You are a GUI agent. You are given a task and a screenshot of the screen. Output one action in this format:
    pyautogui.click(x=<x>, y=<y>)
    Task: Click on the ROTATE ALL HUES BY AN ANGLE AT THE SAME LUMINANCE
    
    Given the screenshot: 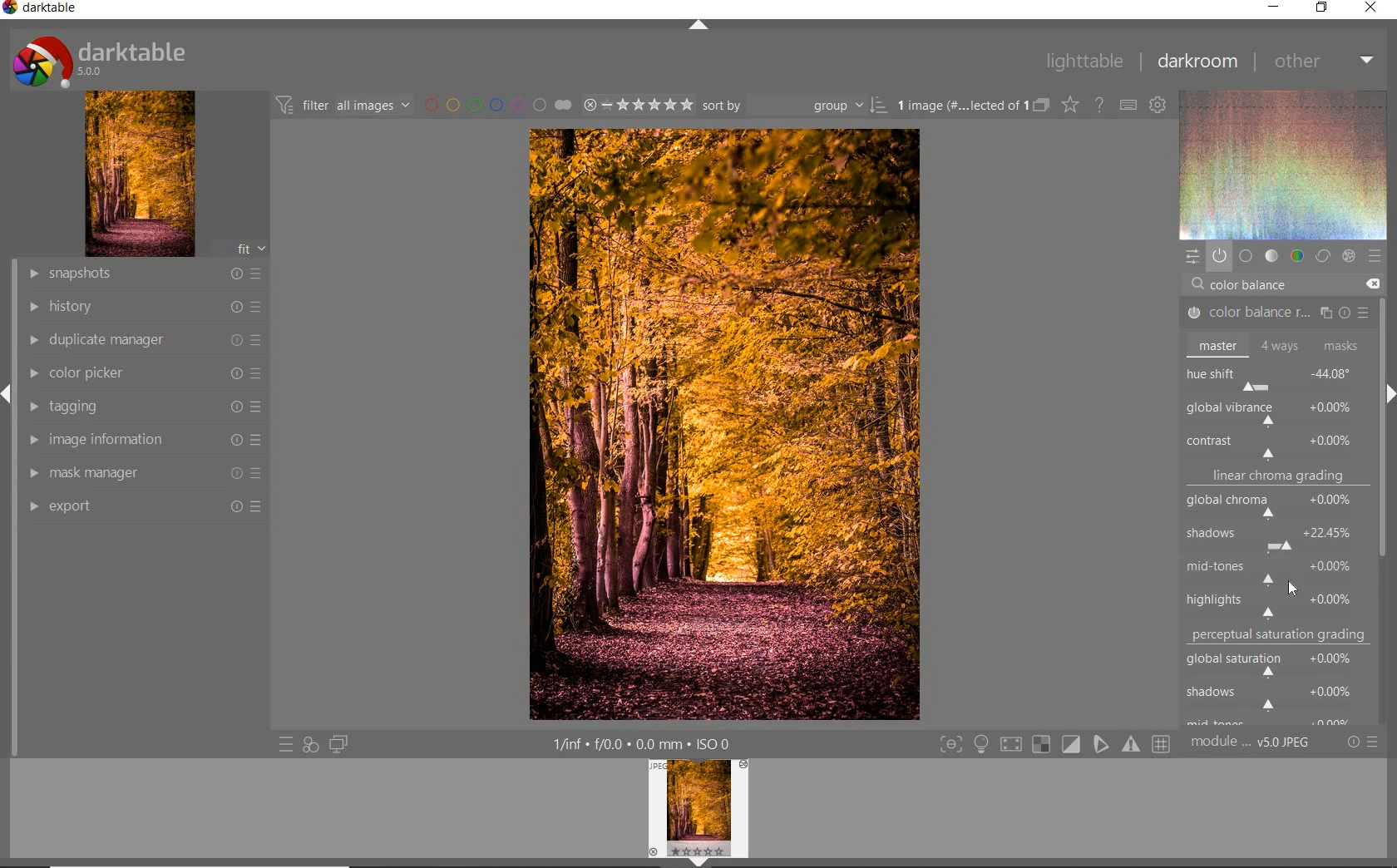 What is the action you would take?
    pyautogui.click(x=1252, y=411)
    